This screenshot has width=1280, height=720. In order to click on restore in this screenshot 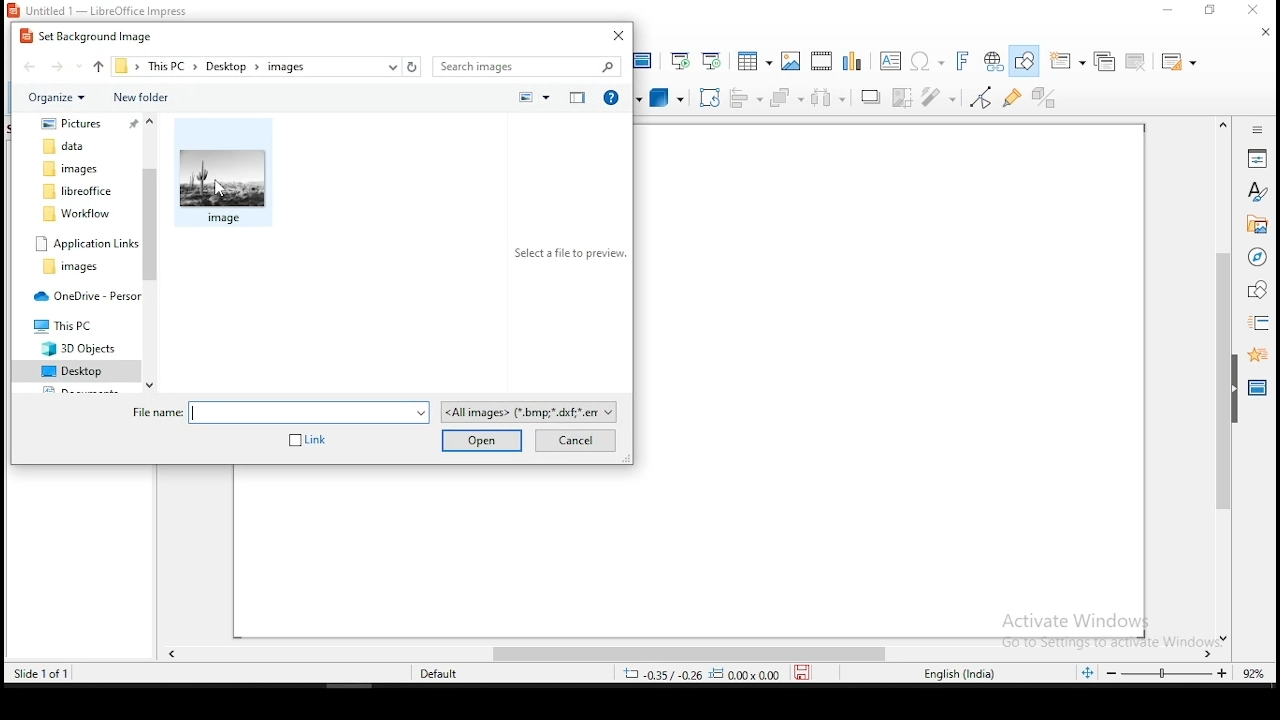, I will do `click(1206, 10)`.